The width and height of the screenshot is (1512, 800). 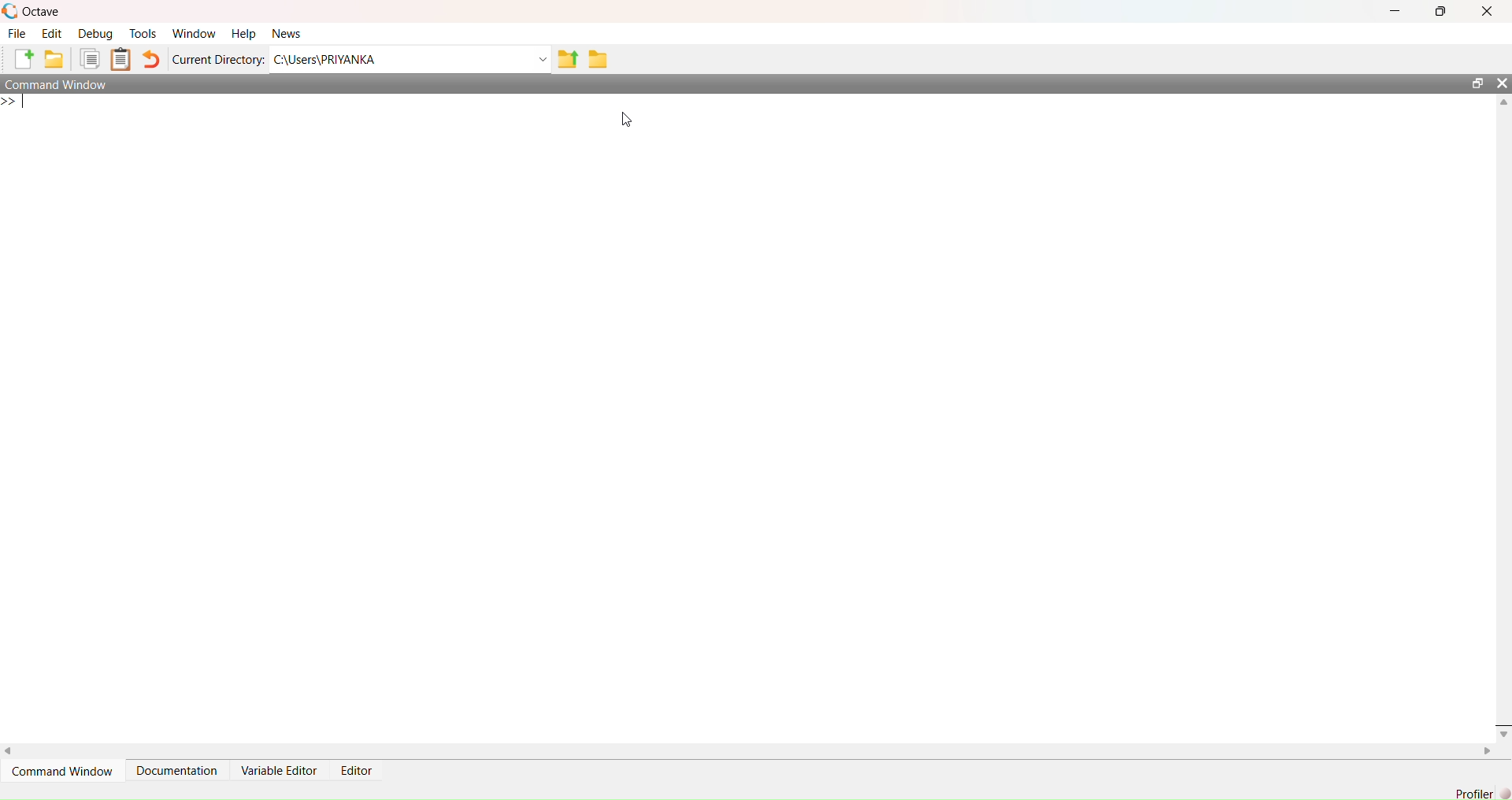 What do you see at coordinates (57, 59) in the screenshot?
I see `Open an existing file in editor` at bounding box center [57, 59].